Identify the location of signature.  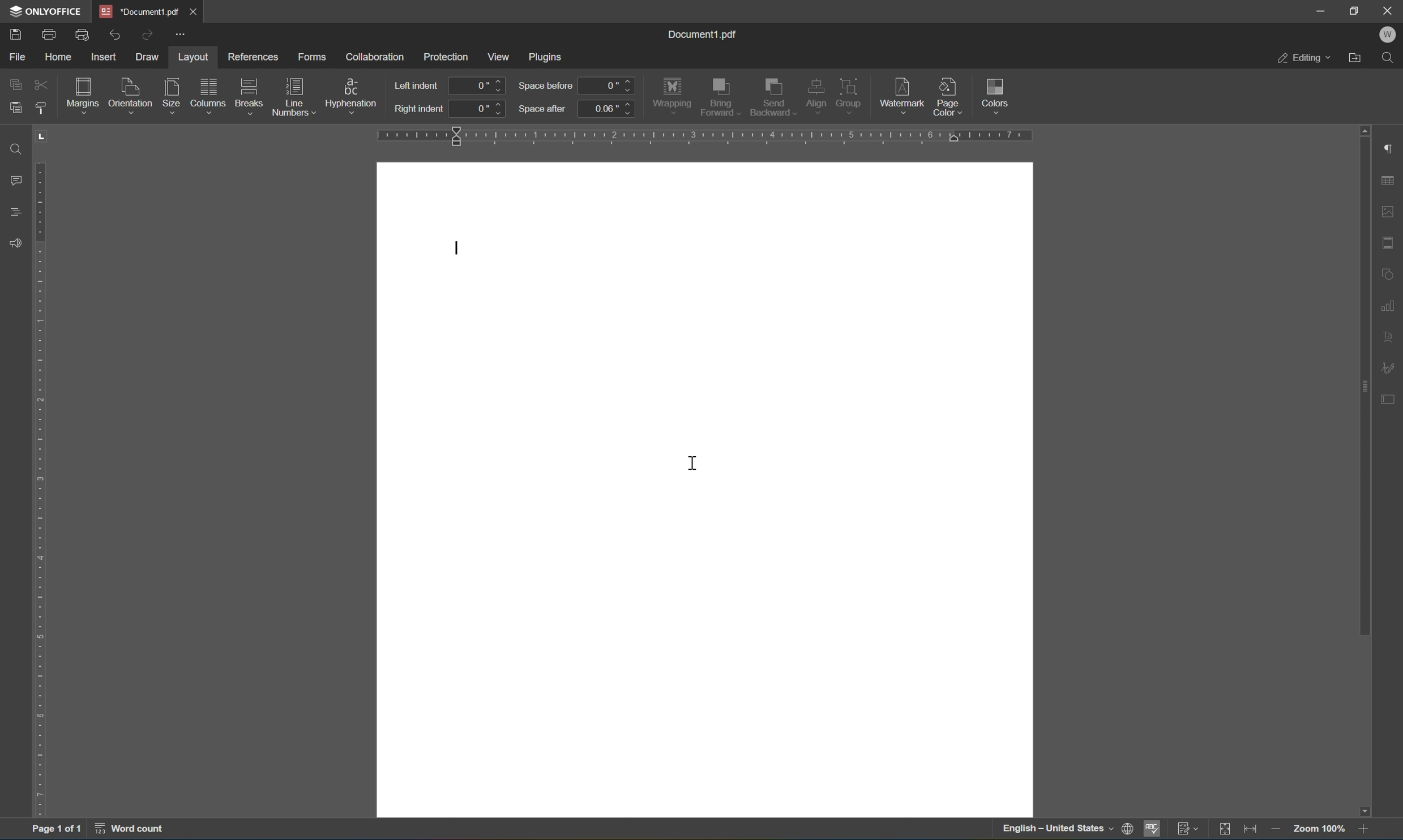
(1391, 366).